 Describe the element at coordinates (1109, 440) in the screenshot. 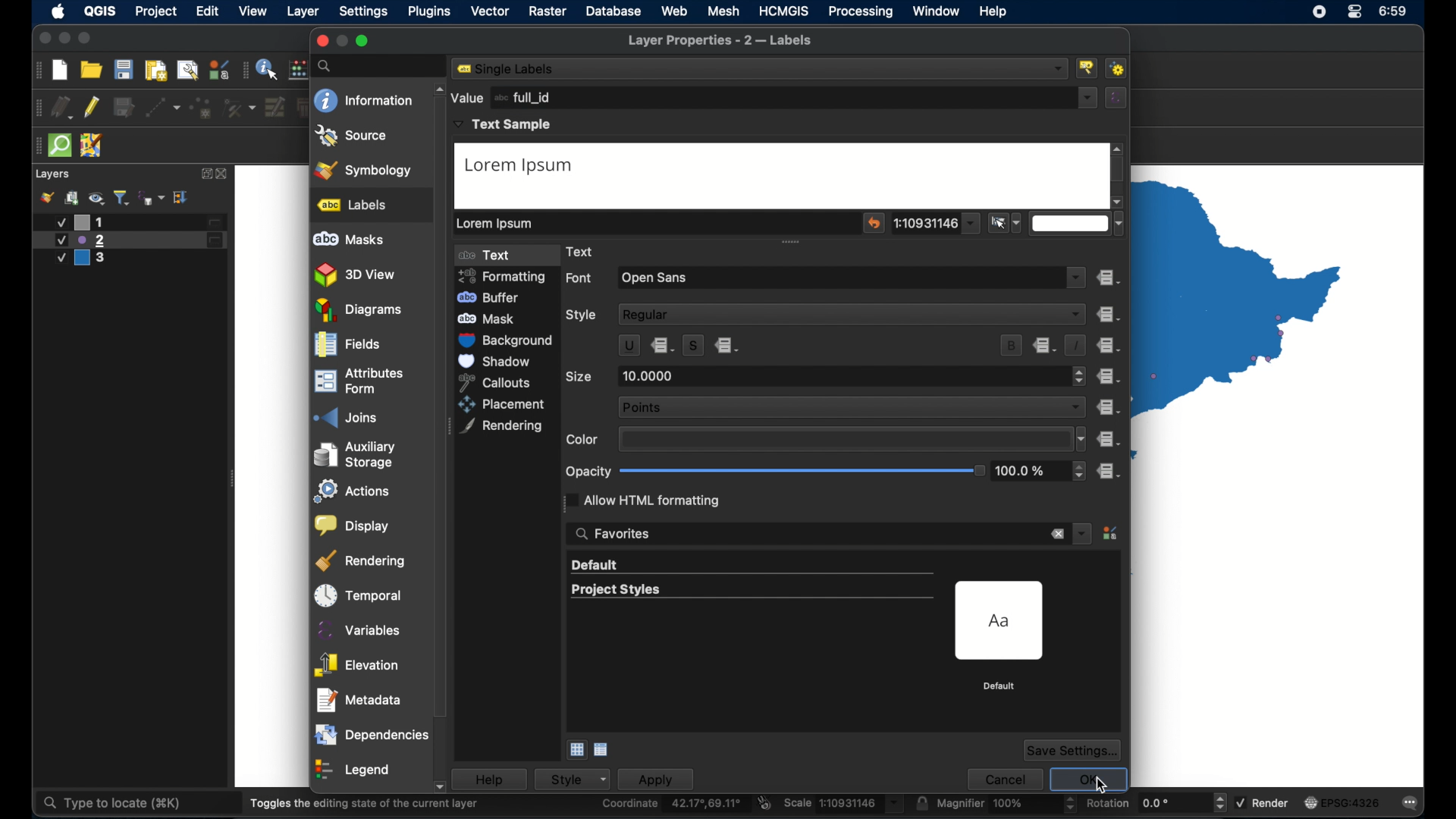

I see `data defined override` at that location.